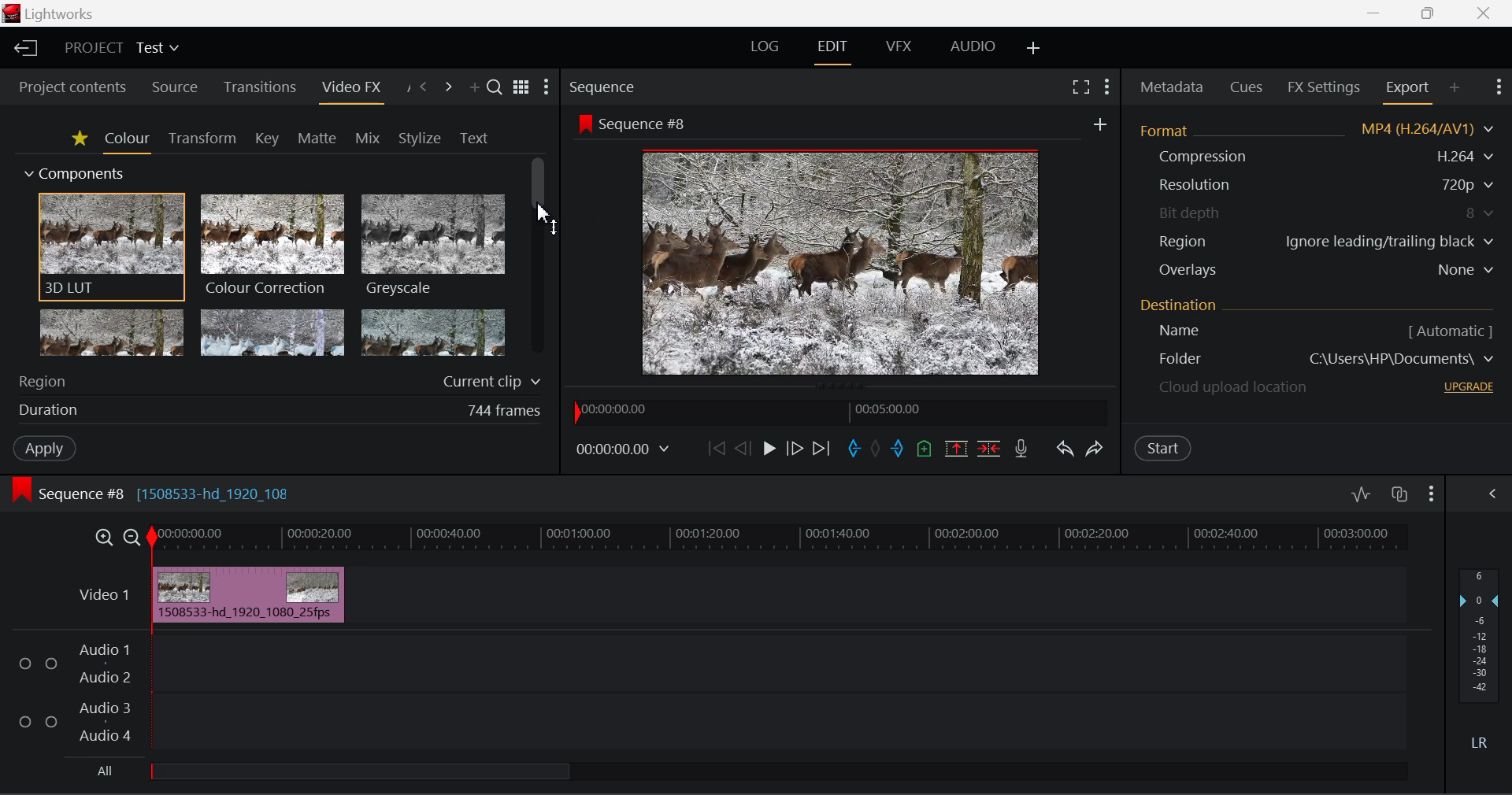 The image size is (1512, 795). What do you see at coordinates (169, 490) in the screenshot?
I see `Sequence #8 [1508533-hd_1920_108` at bounding box center [169, 490].